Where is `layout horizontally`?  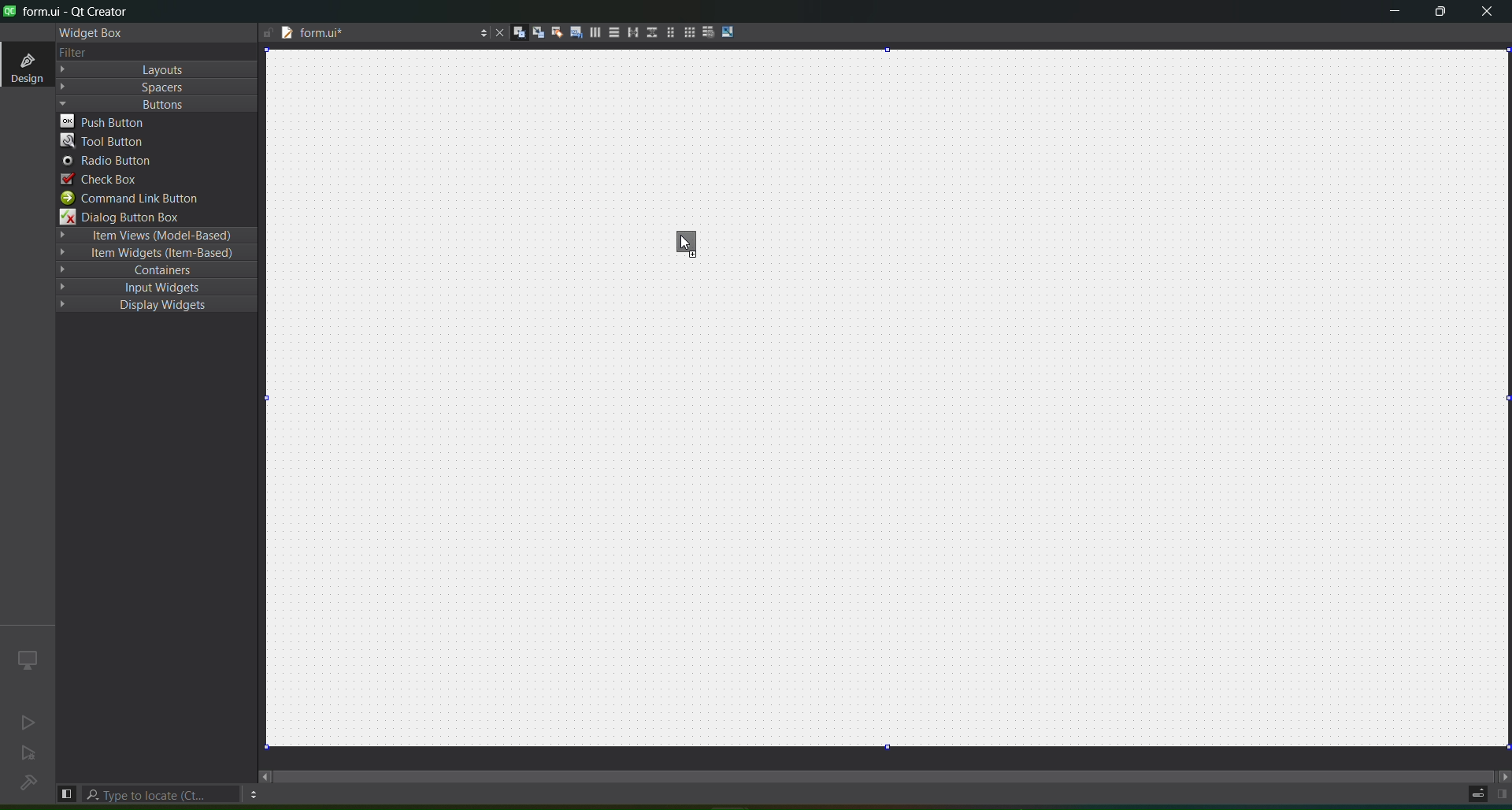 layout horizontally is located at coordinates (594, 32).